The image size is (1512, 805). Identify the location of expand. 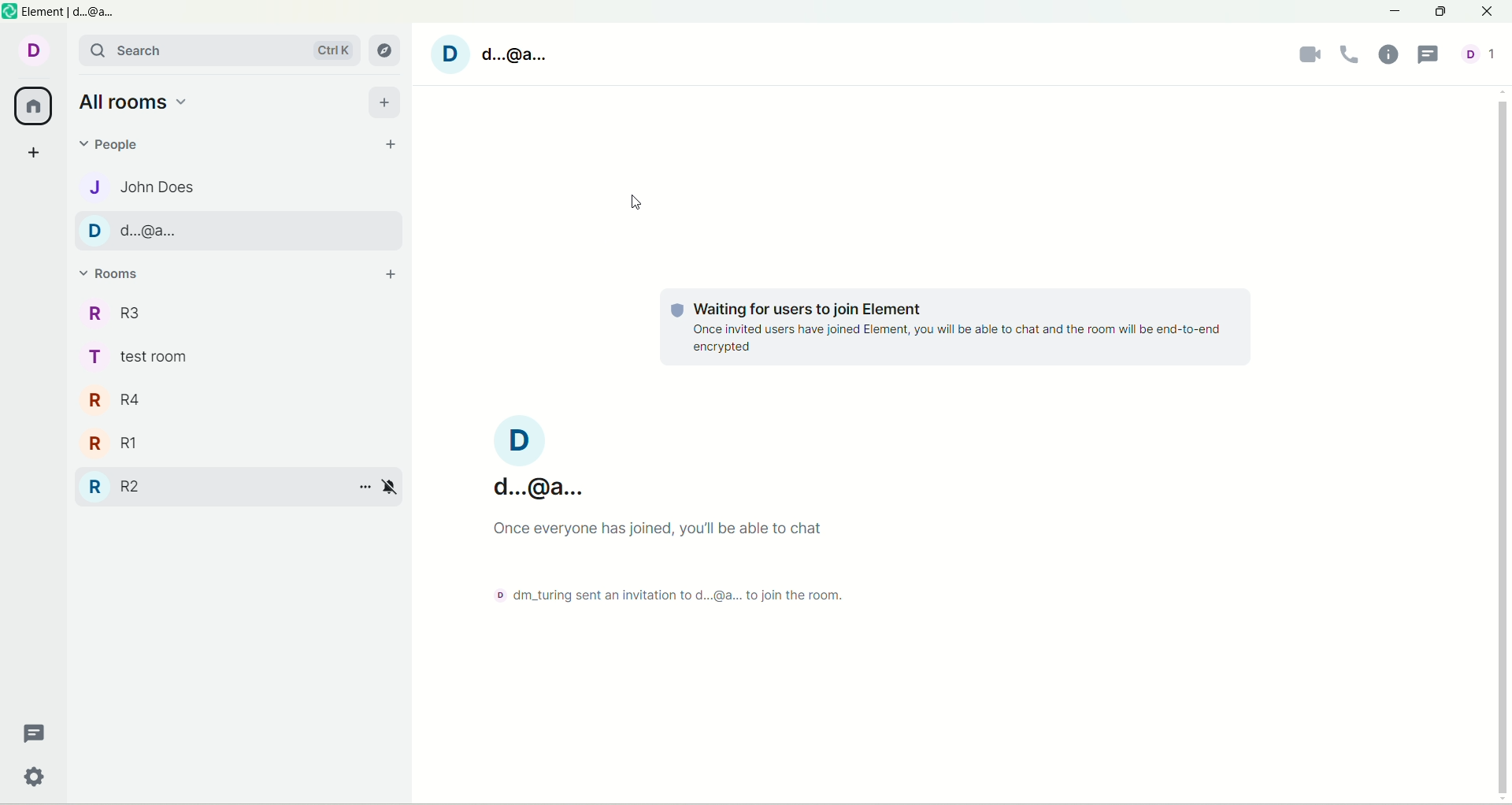
(242, 514).